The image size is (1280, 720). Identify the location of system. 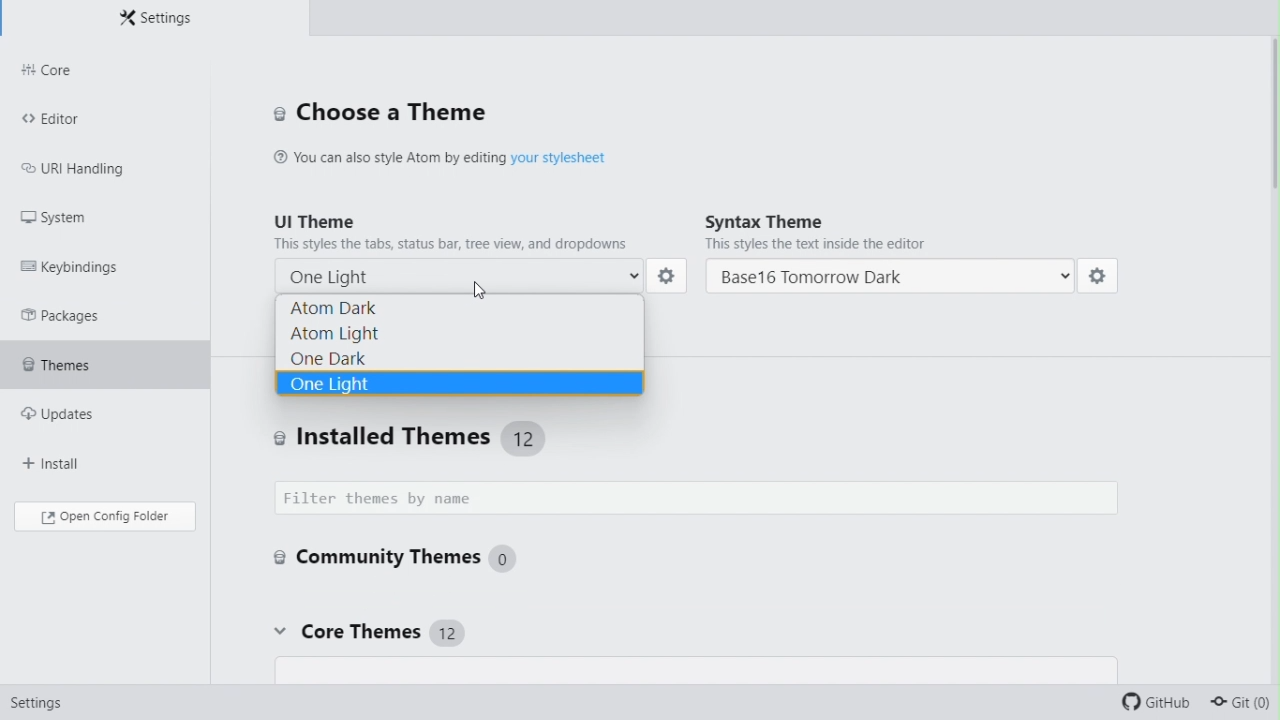
(93, 215).